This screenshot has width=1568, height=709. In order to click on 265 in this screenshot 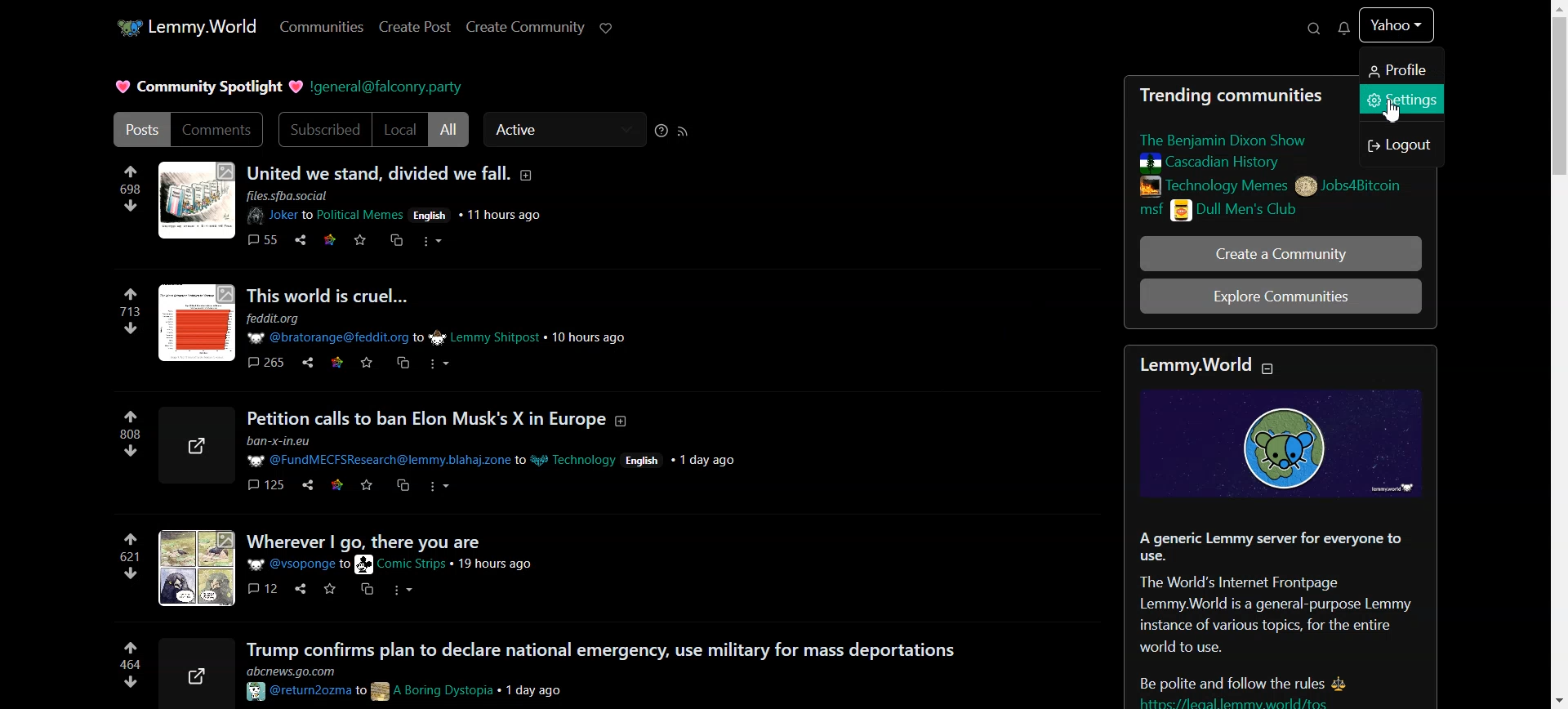, I will do `click(263, 365)`.